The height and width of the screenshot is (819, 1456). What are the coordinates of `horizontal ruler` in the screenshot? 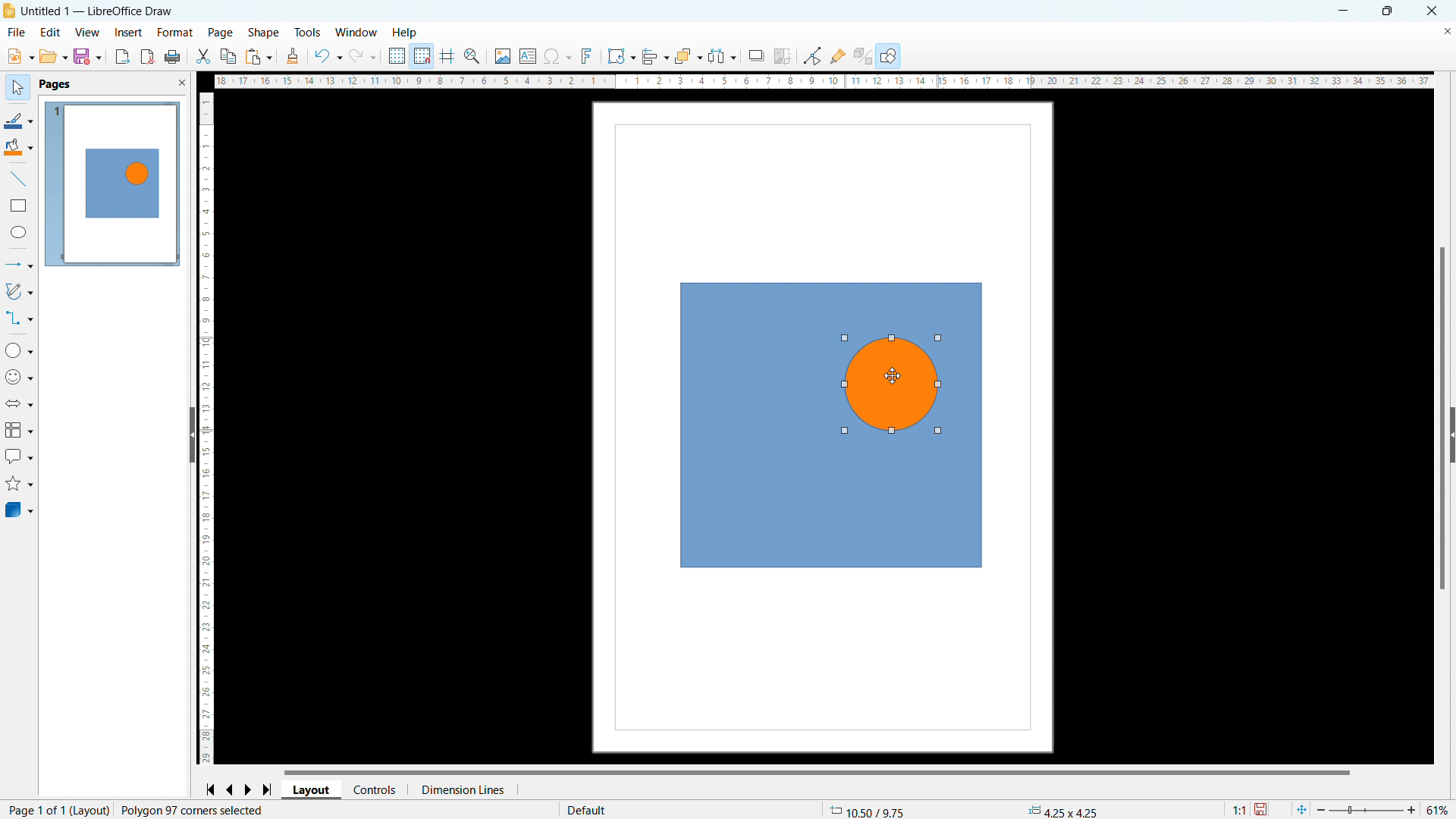 It's located at (822, 81).